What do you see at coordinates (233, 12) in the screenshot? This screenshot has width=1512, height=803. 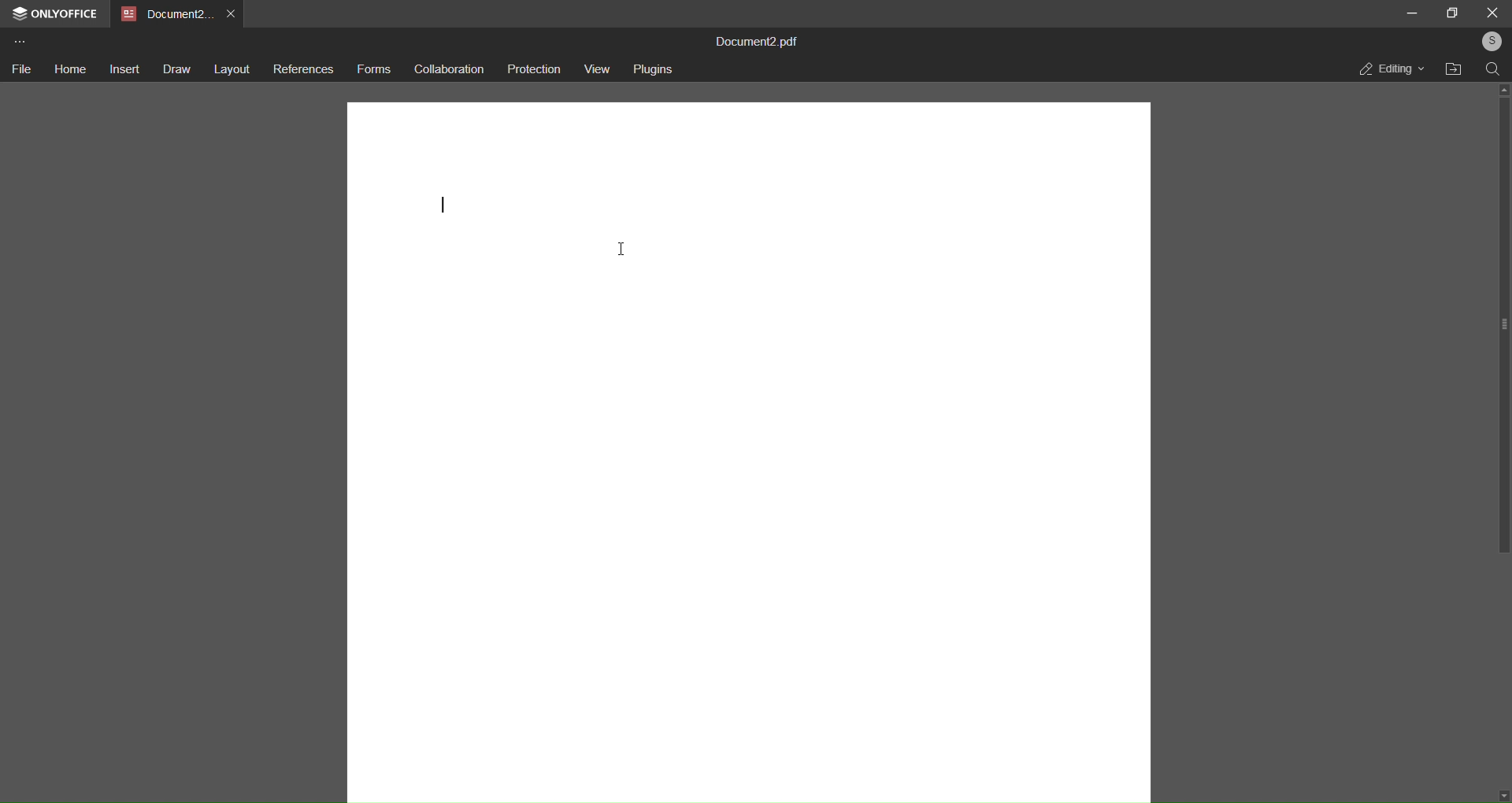 I see `close tab` at bounding box center [233, 12].